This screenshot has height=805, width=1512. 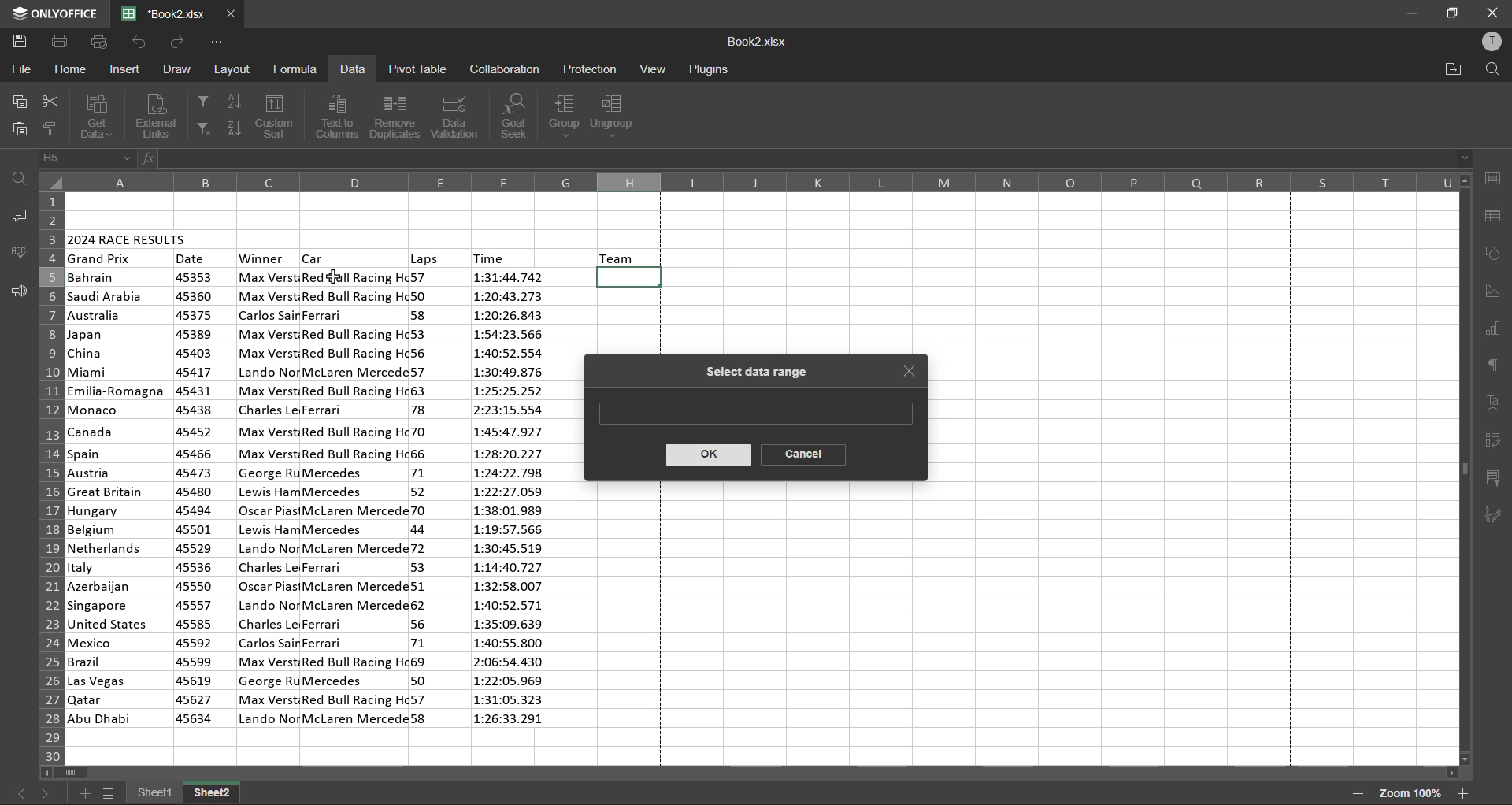 What do you see at coordinates (1495, 480) in the screenshot?
I see `slicer` at bounding box center [1495, 480].